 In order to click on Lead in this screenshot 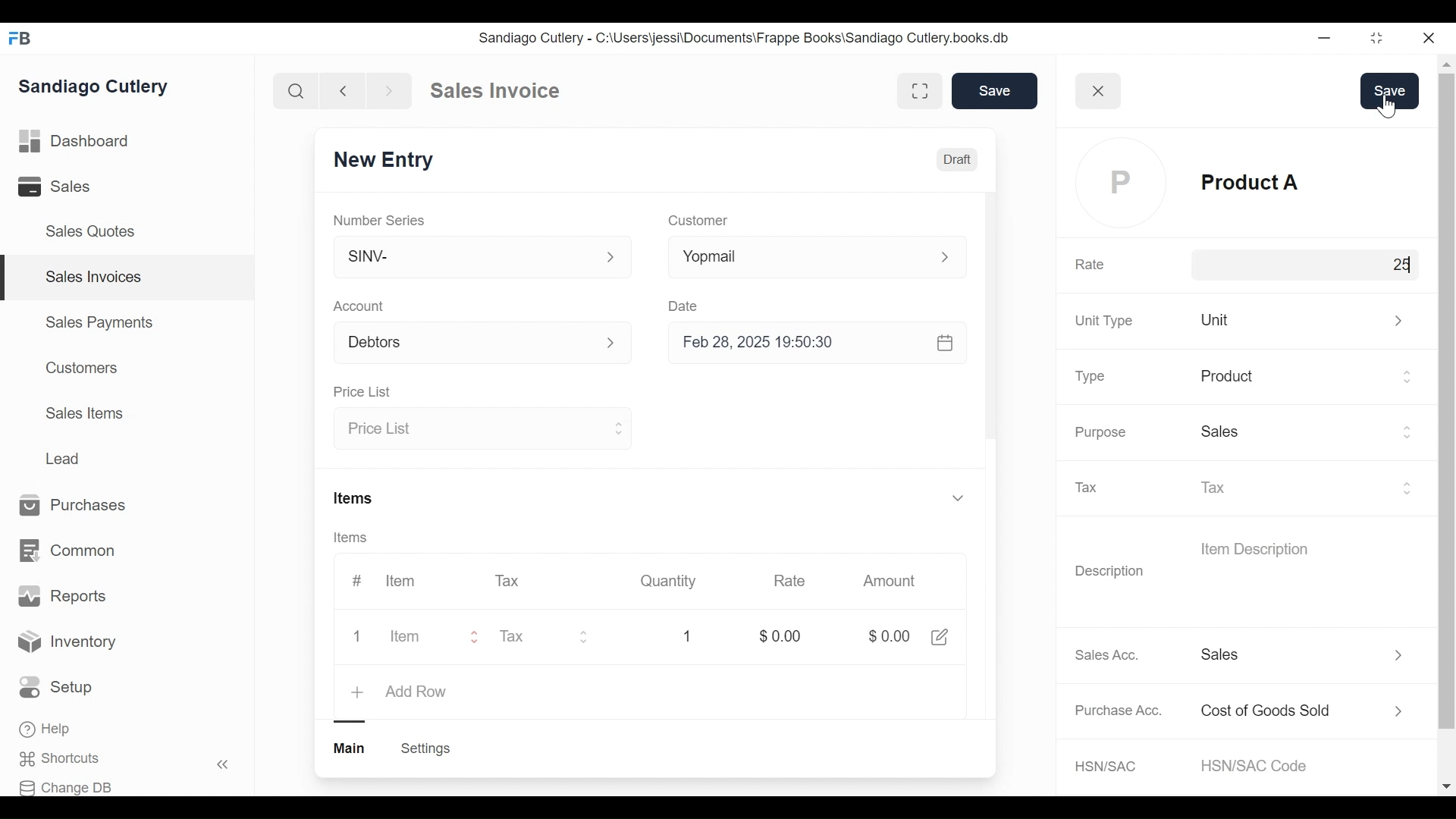, I will do `click(64, 457)`.